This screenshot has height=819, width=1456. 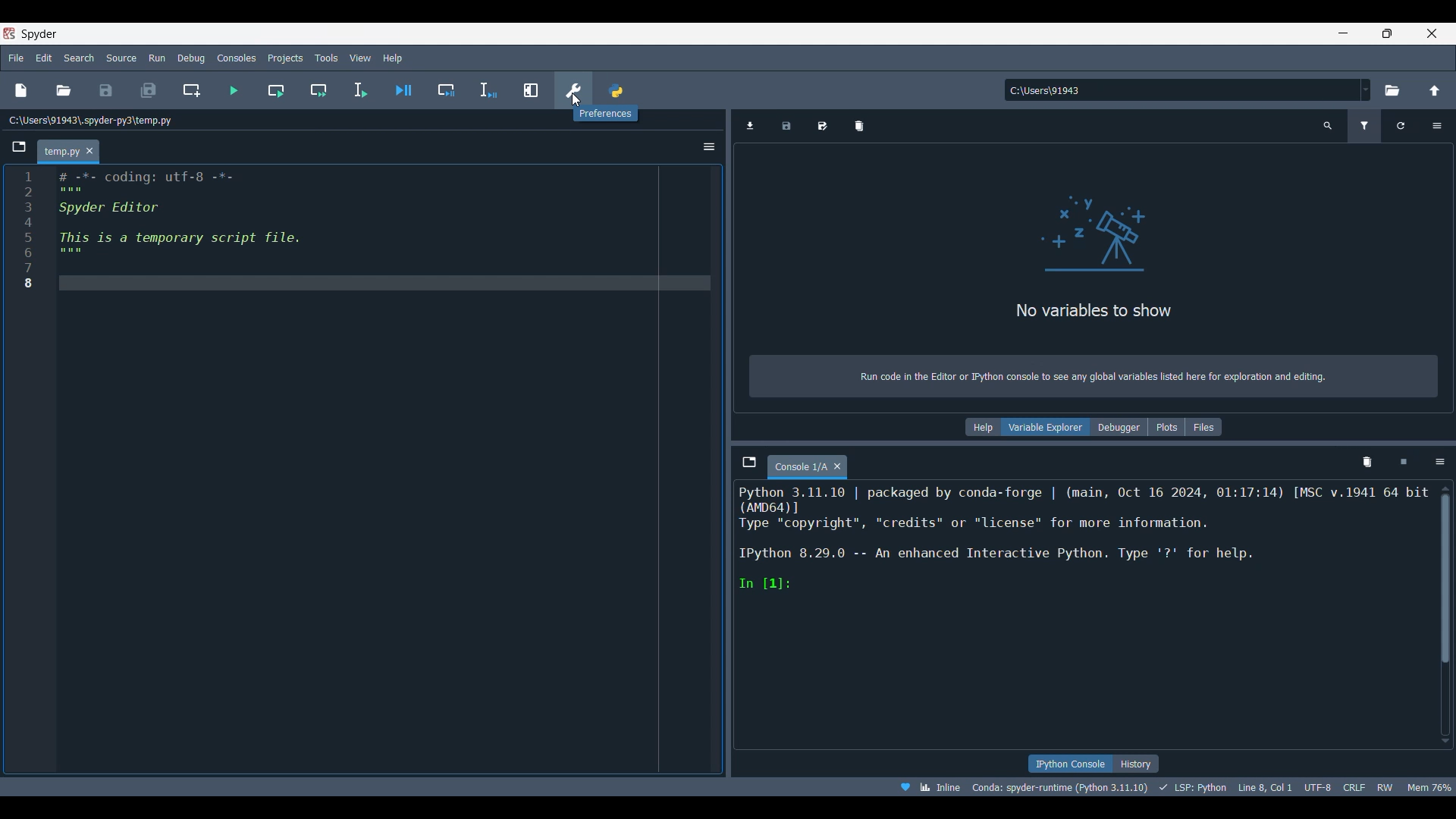 I want to click on Close, so click(x=837, y=466).